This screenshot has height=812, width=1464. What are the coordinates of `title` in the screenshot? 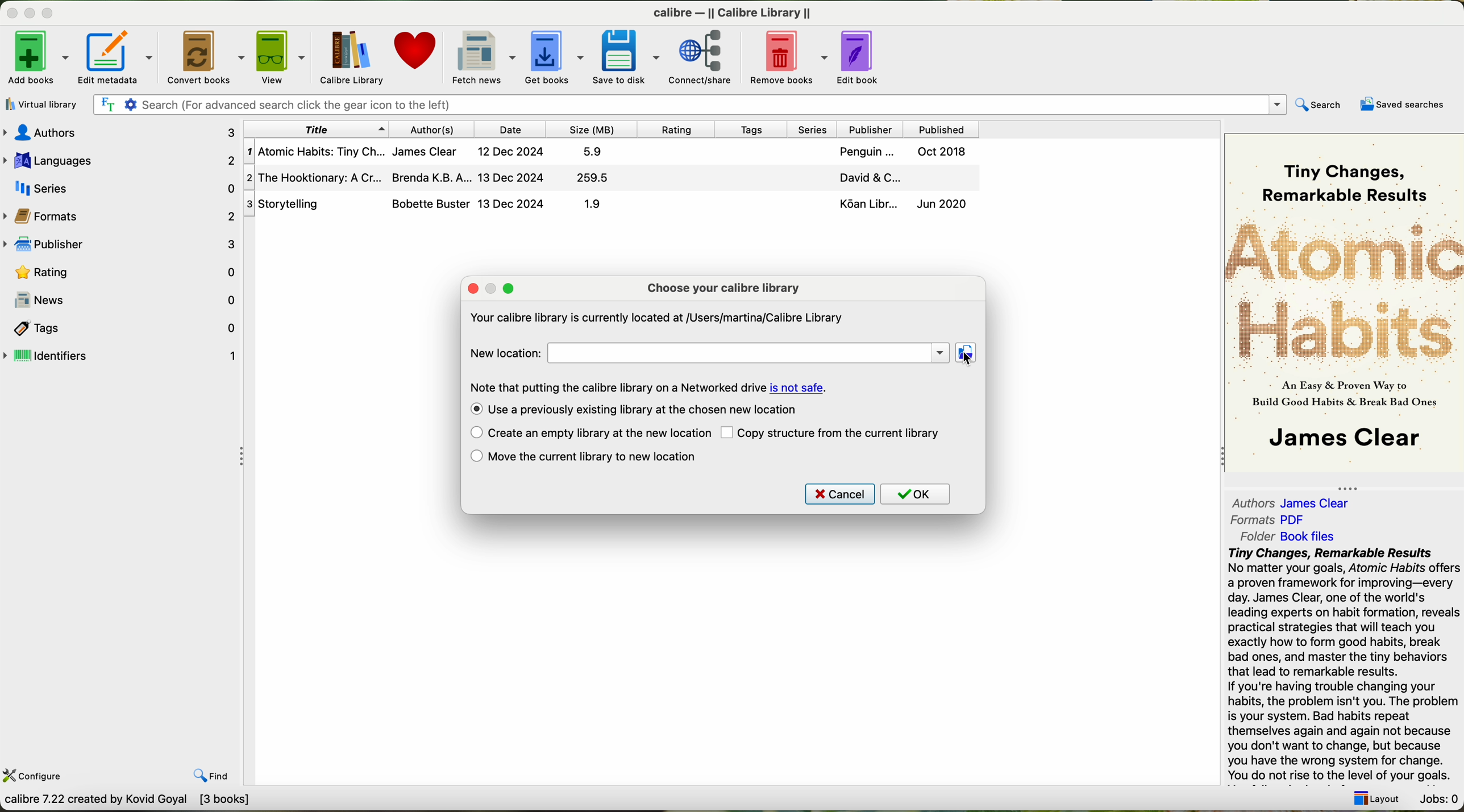 It's located at (314, 129).